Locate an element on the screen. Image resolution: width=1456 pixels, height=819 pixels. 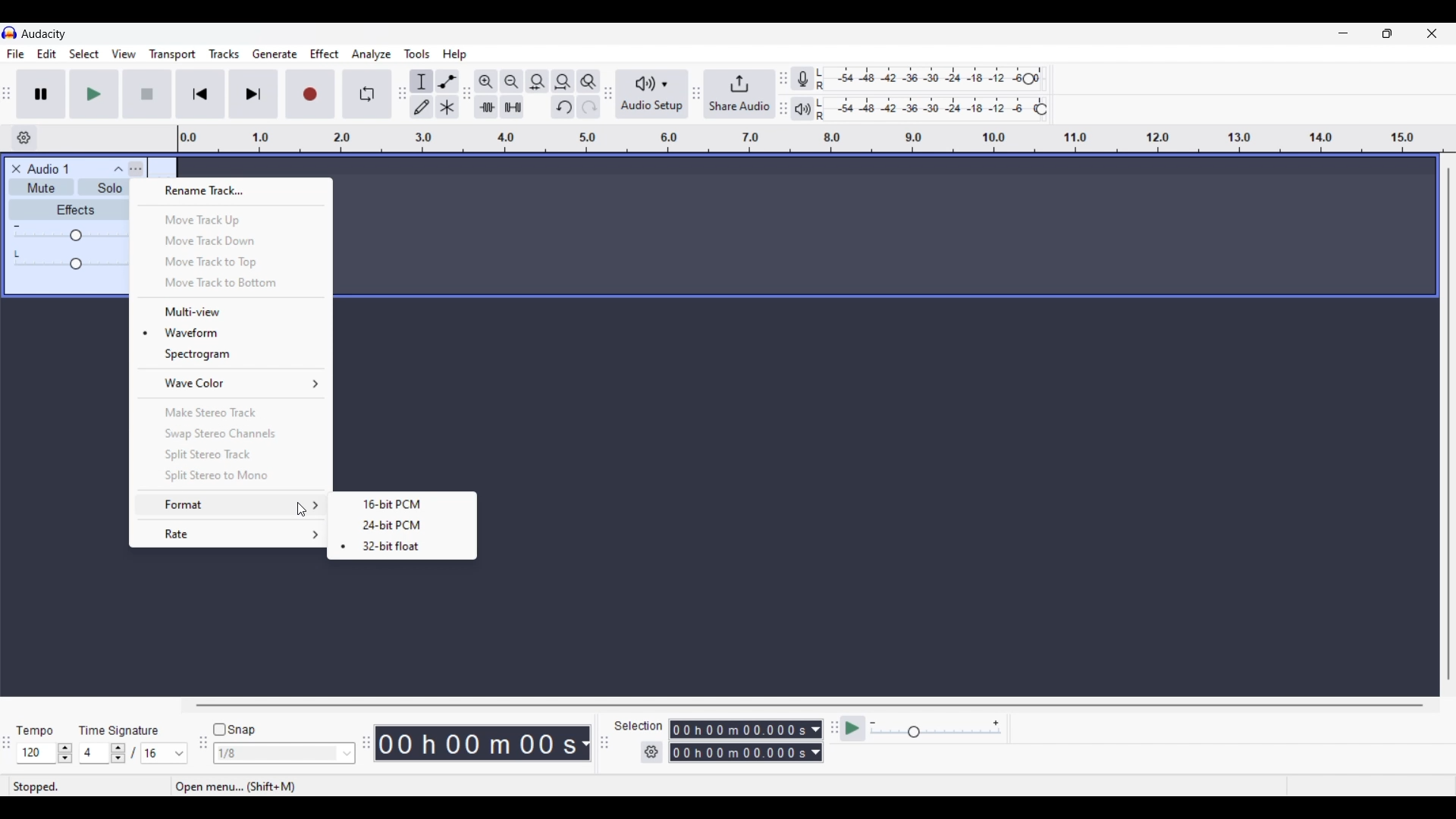
Generate menu is located at coordinates (275, 54).